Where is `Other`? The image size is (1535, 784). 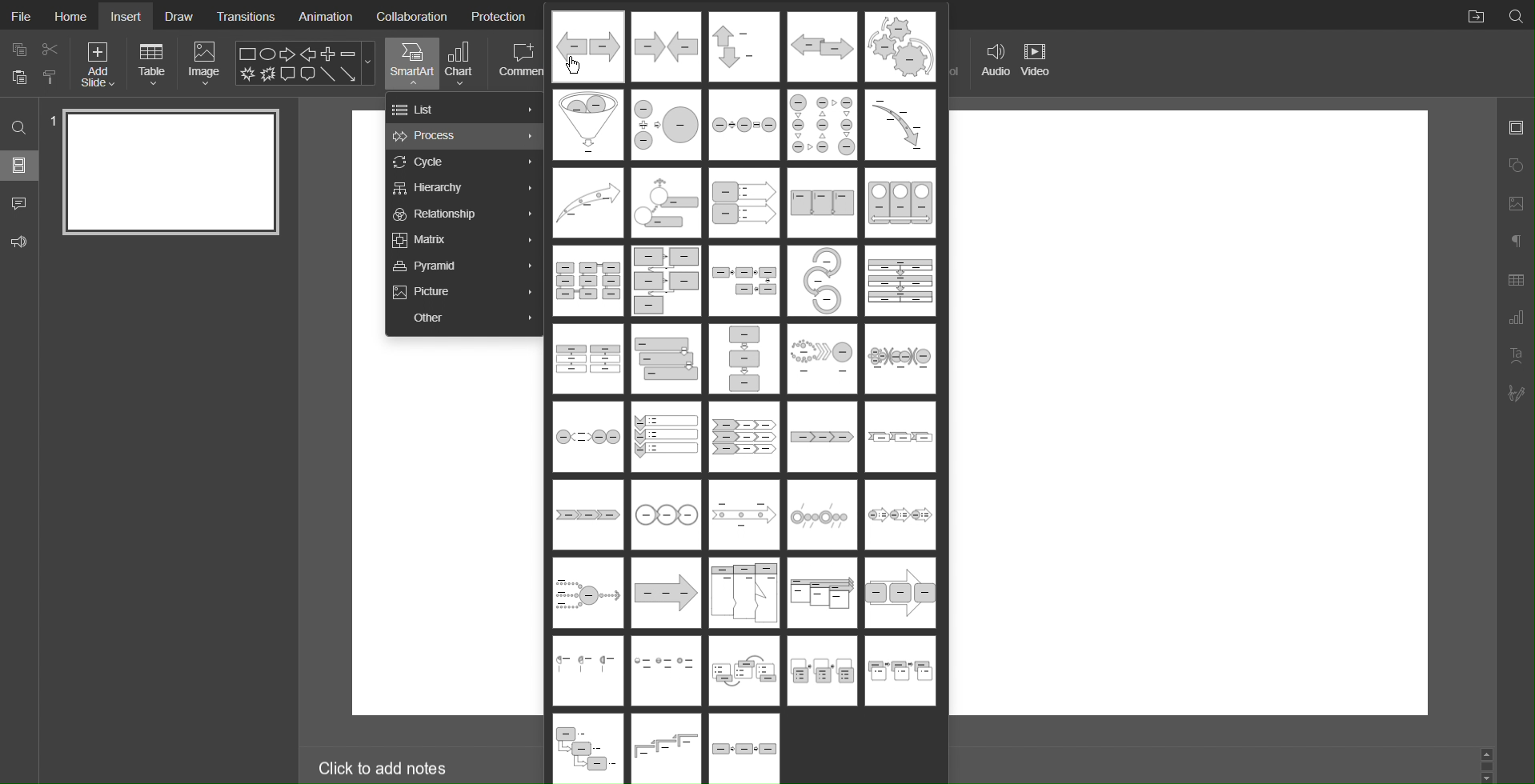 Other is located at coordinates (463, 316).